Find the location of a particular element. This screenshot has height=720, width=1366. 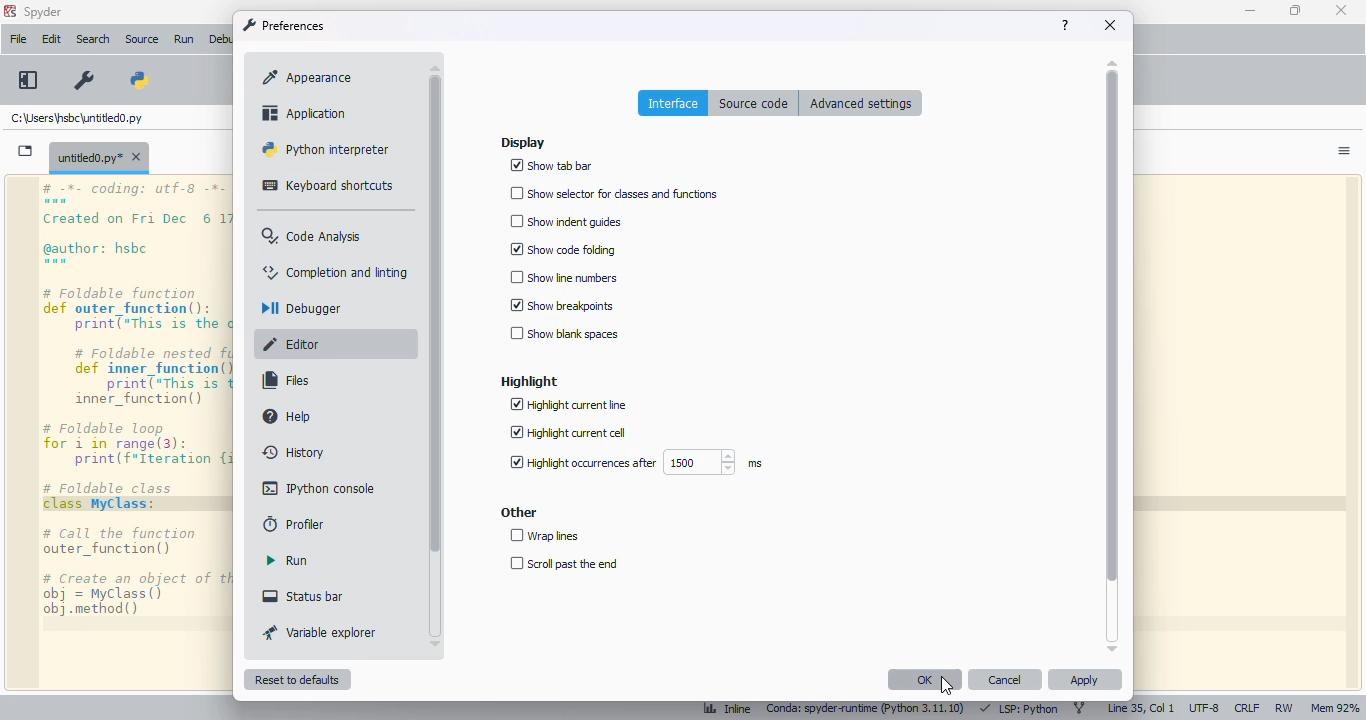

preferences is located at coordinates (284, 25).